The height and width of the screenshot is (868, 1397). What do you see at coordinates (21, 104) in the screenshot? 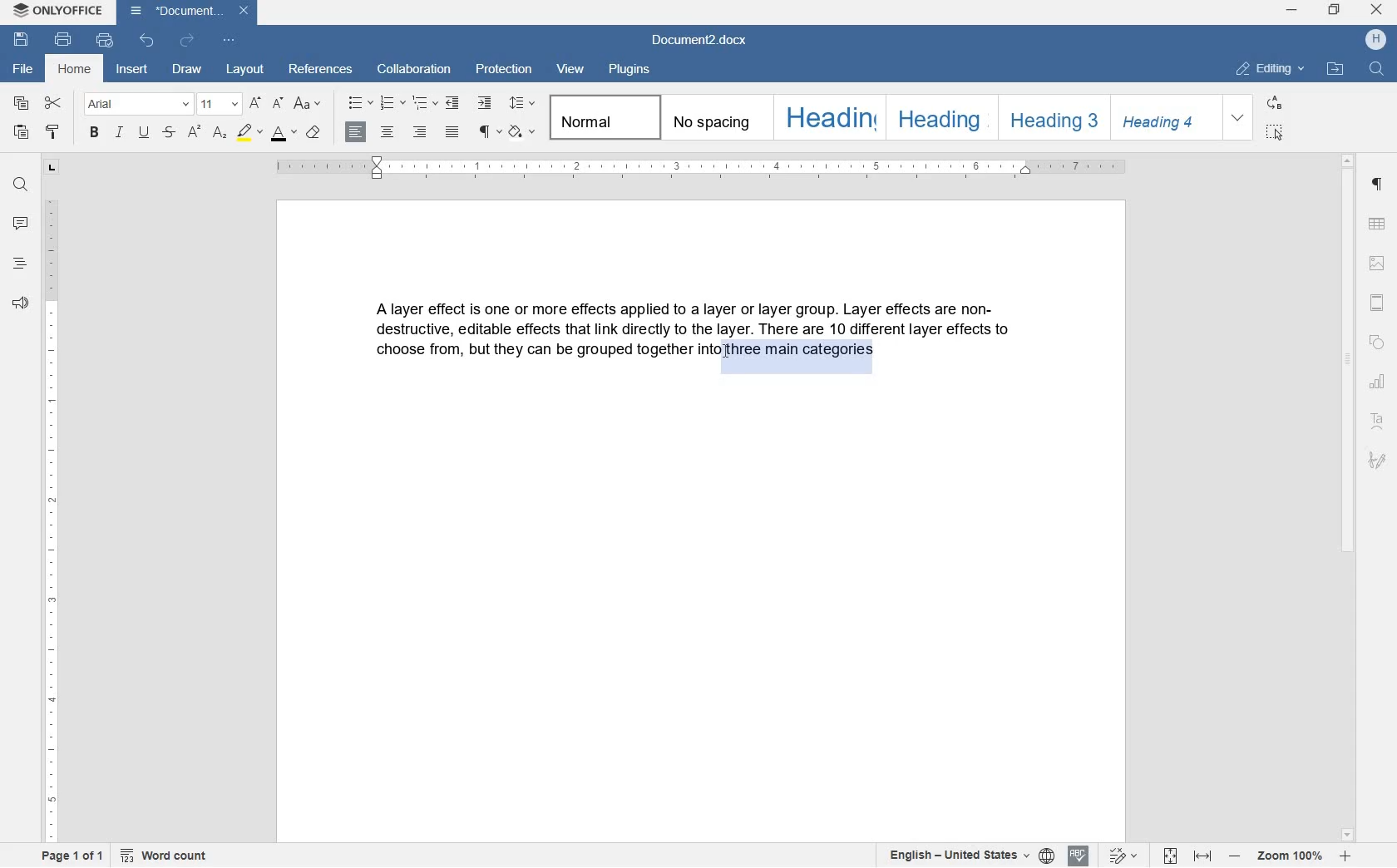
I see `copy` at bounding box center [21, 104].